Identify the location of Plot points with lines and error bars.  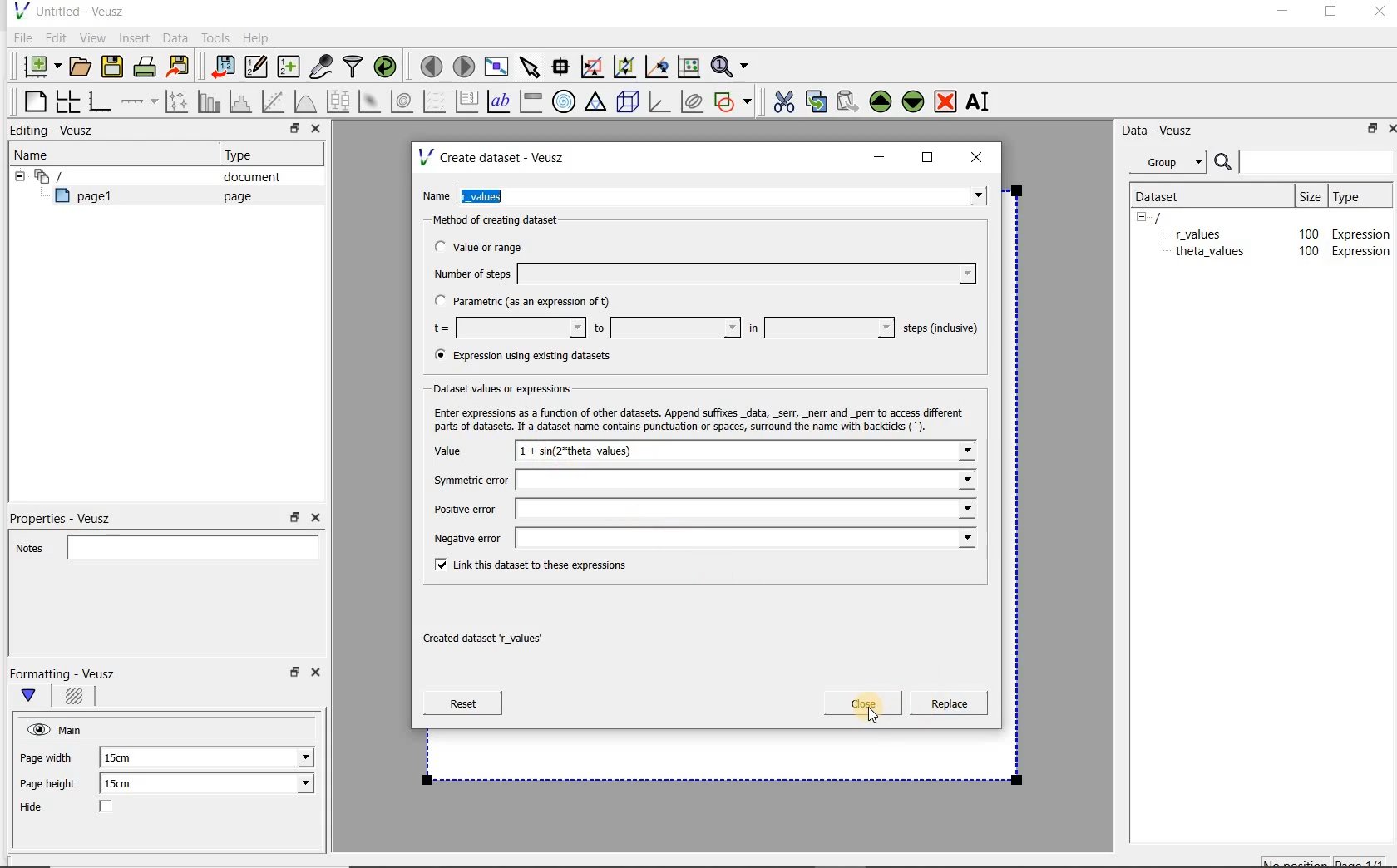
(178, 101).